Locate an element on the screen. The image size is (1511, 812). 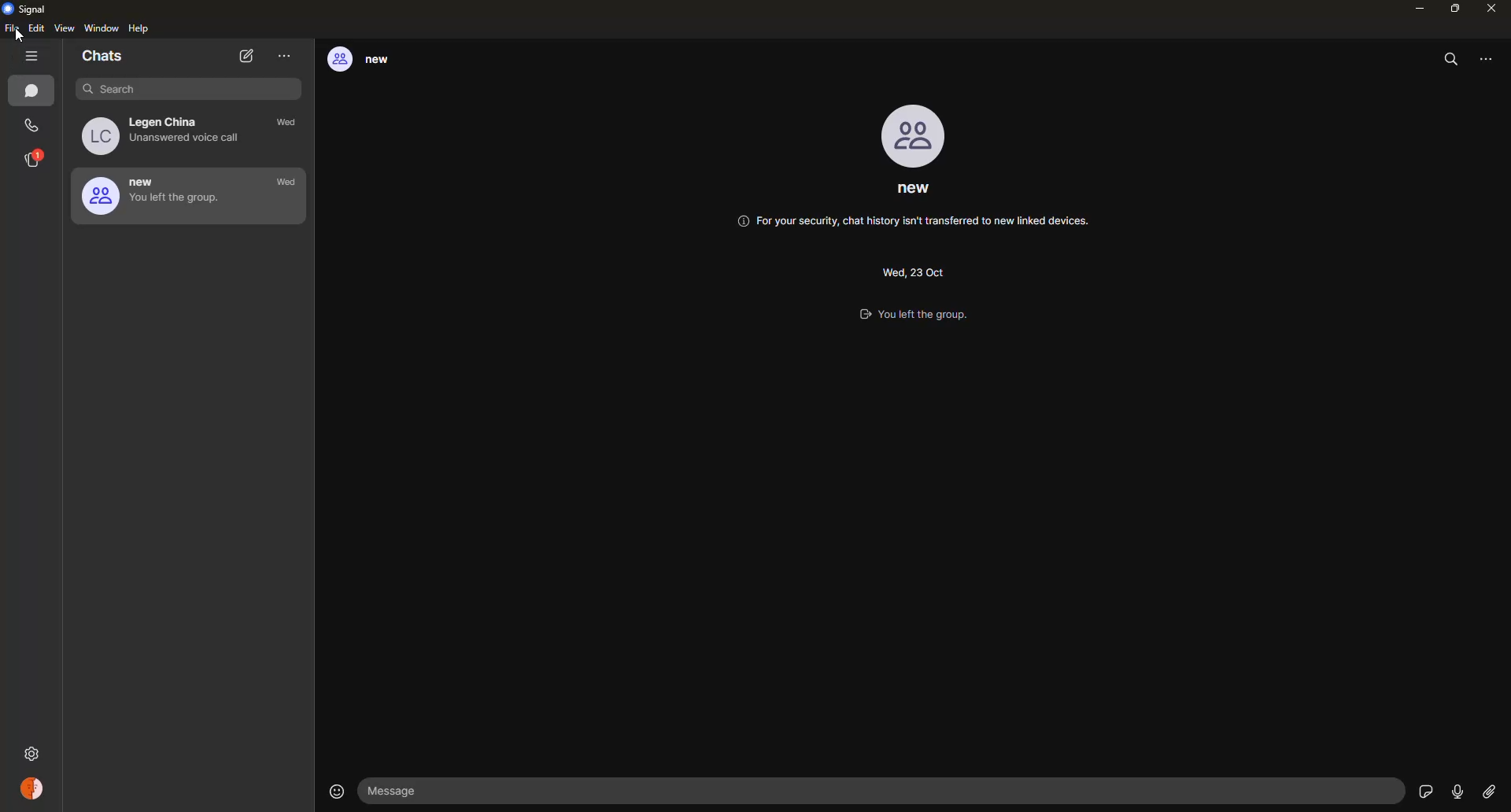
search is located at coordinates (178, 88).